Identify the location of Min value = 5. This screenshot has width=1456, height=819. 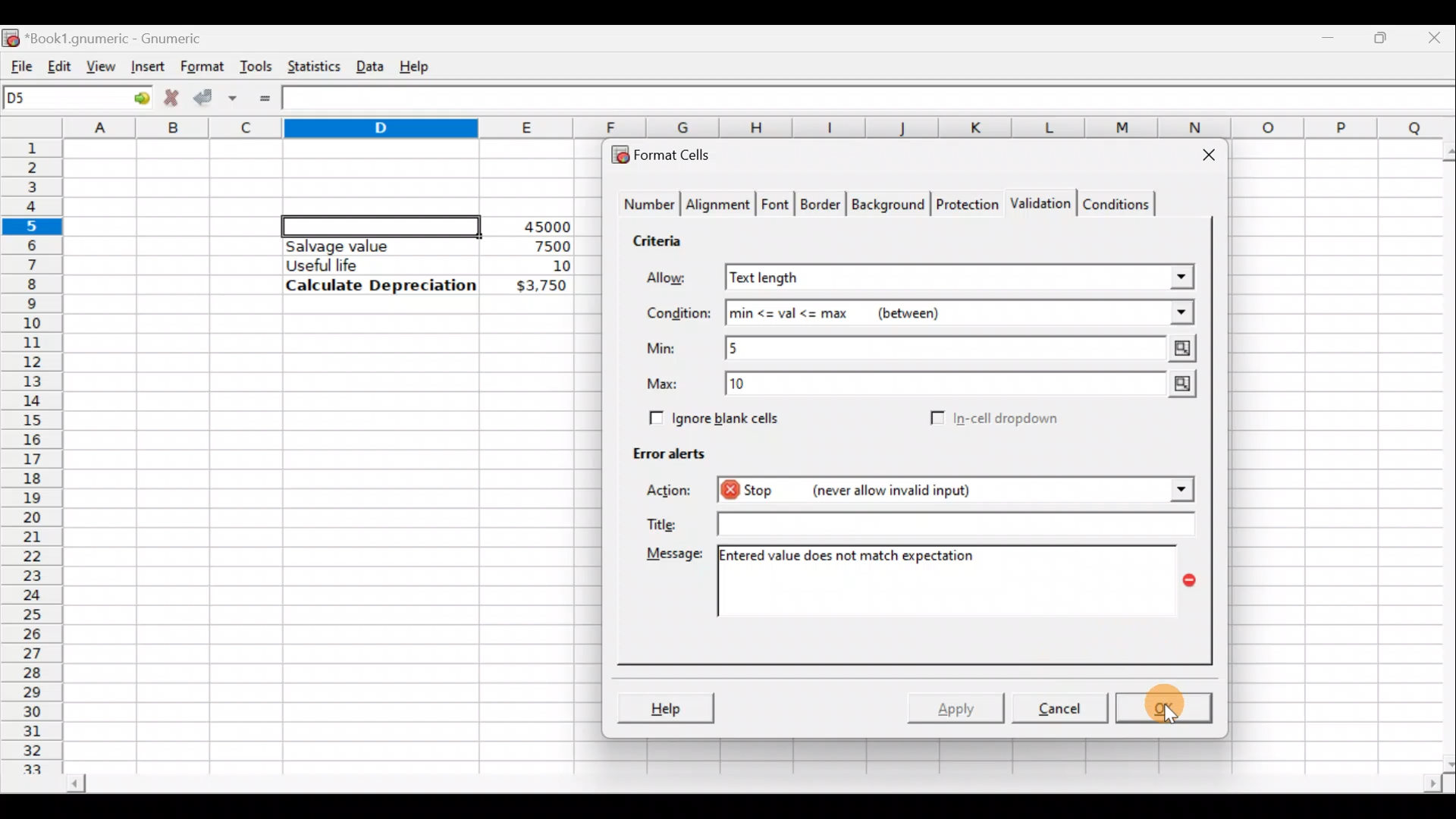
(963, 348).